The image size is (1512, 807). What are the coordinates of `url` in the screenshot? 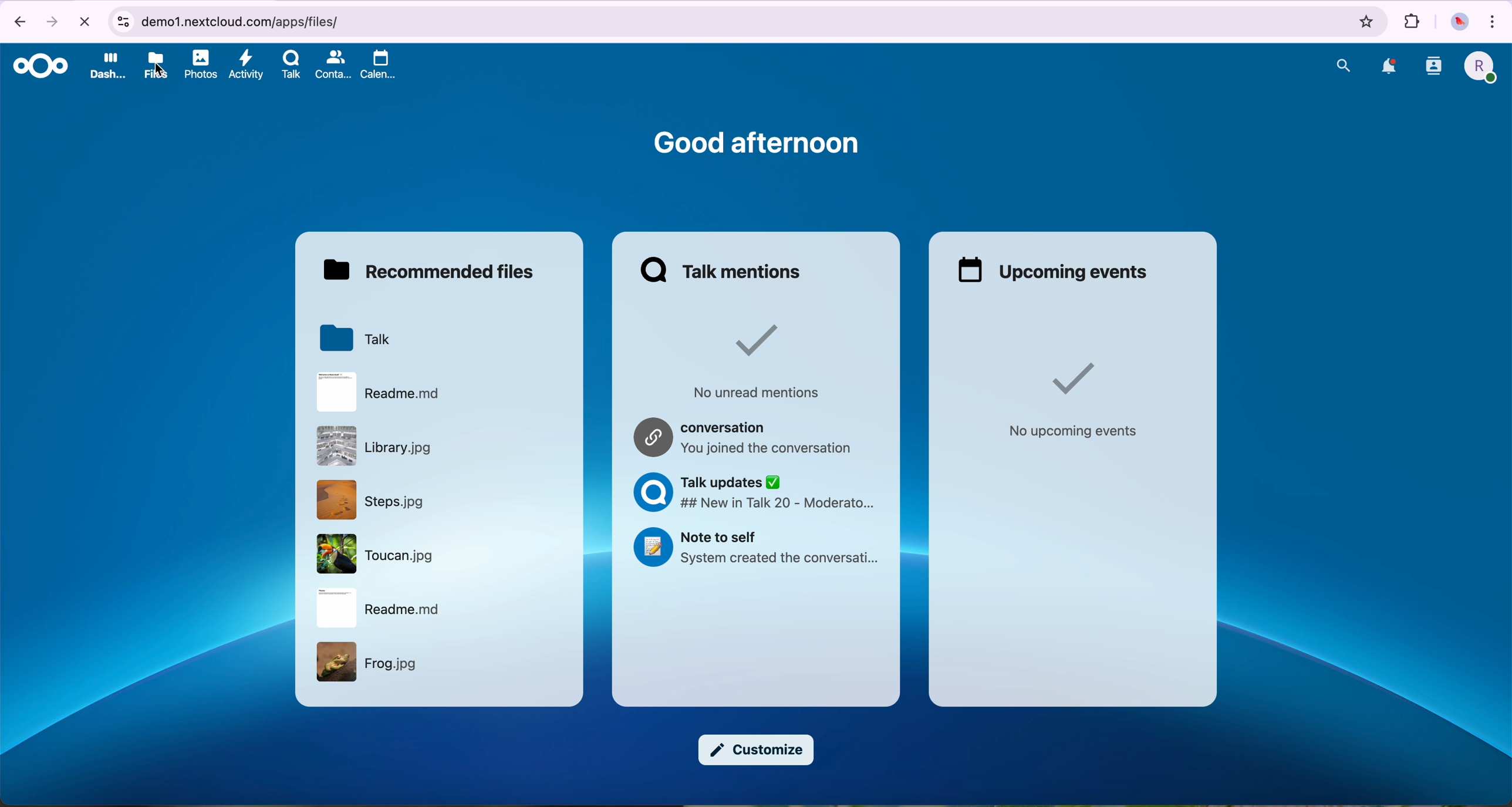 It's located at (728, 22).